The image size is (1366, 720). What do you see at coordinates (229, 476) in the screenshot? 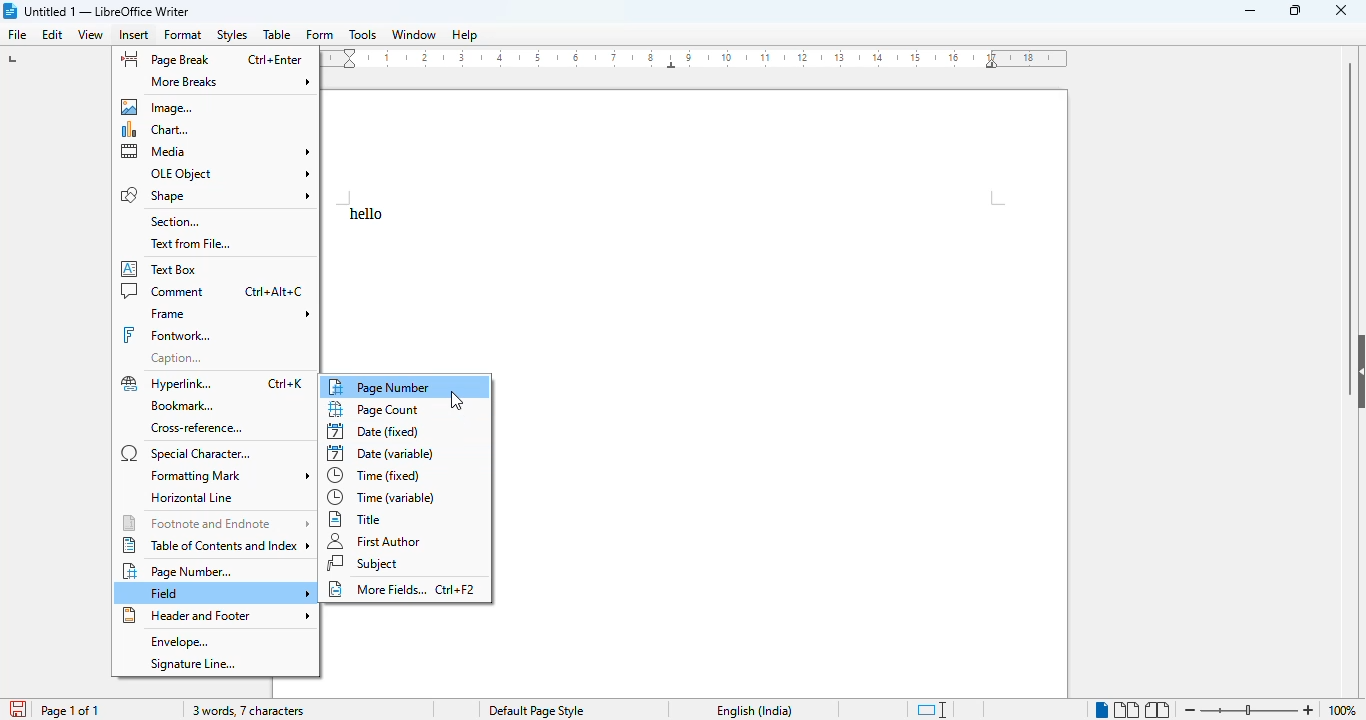
I see `formatting mark` at bounding box center [229, 476].